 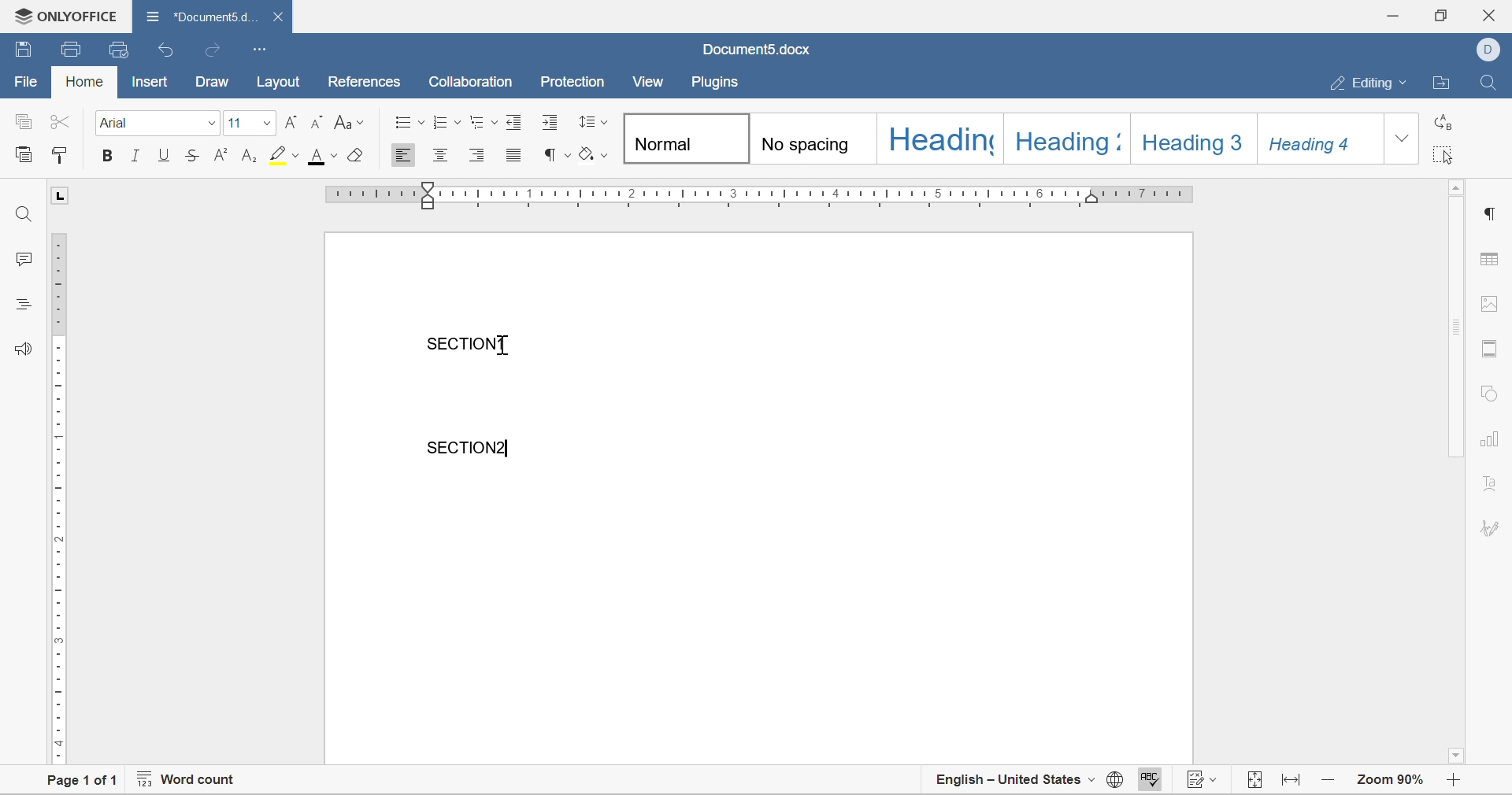 I want to click on document5.docx, so click(x=755, y=50).